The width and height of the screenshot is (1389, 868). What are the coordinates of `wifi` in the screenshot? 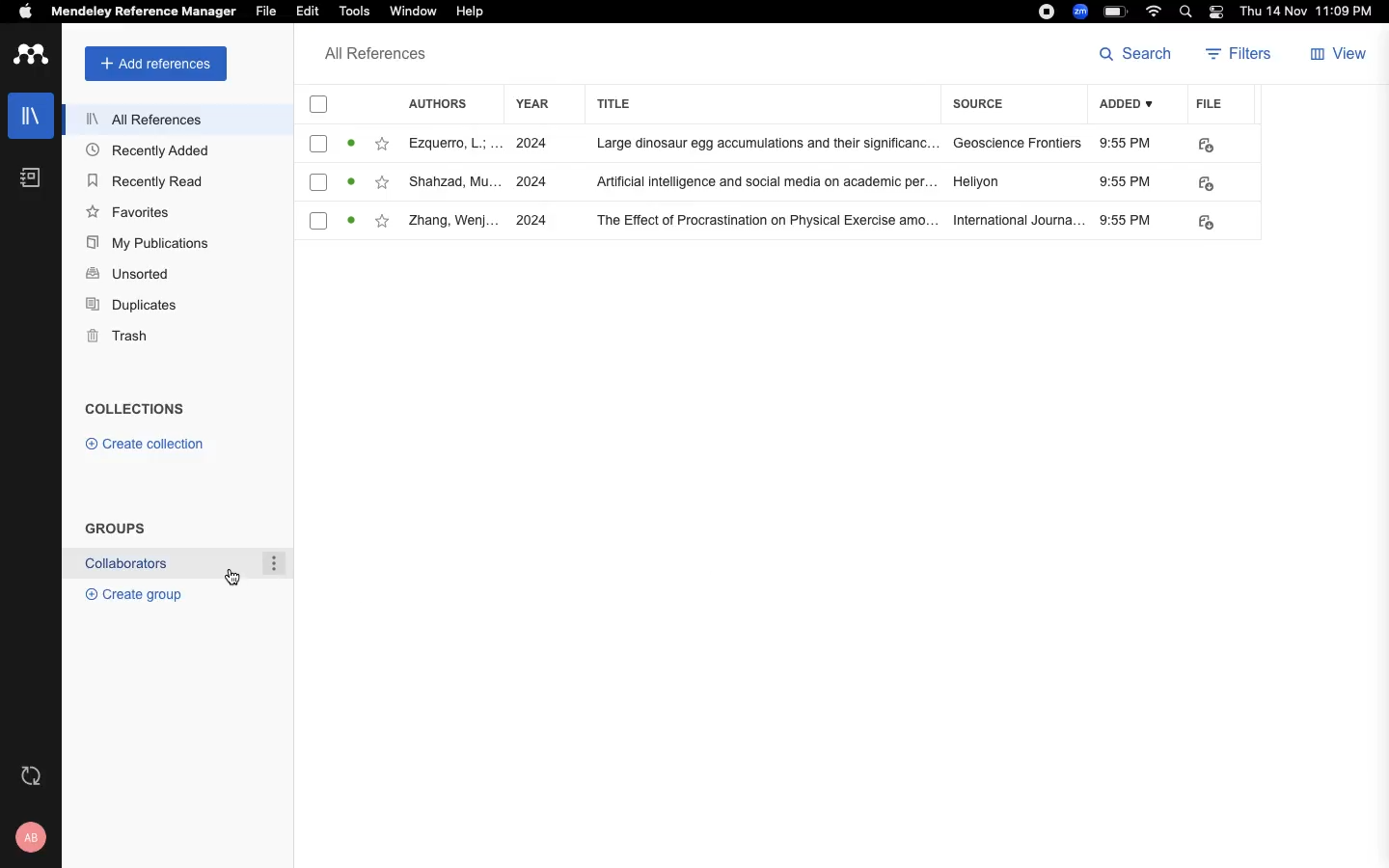 It's located at (1157, 12).